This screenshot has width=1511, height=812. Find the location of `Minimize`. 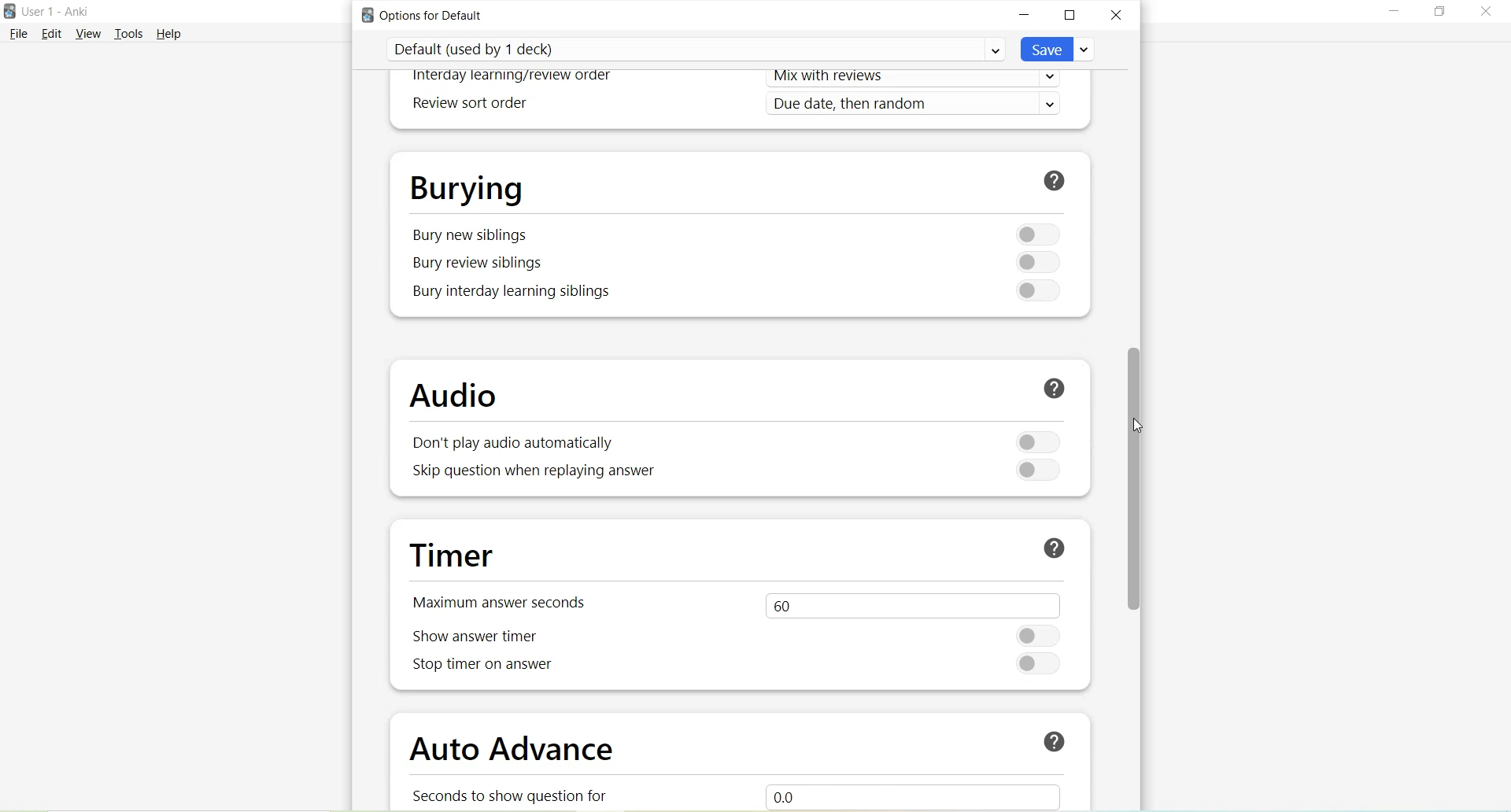

Minimize is located at coordinates (1395, 13).